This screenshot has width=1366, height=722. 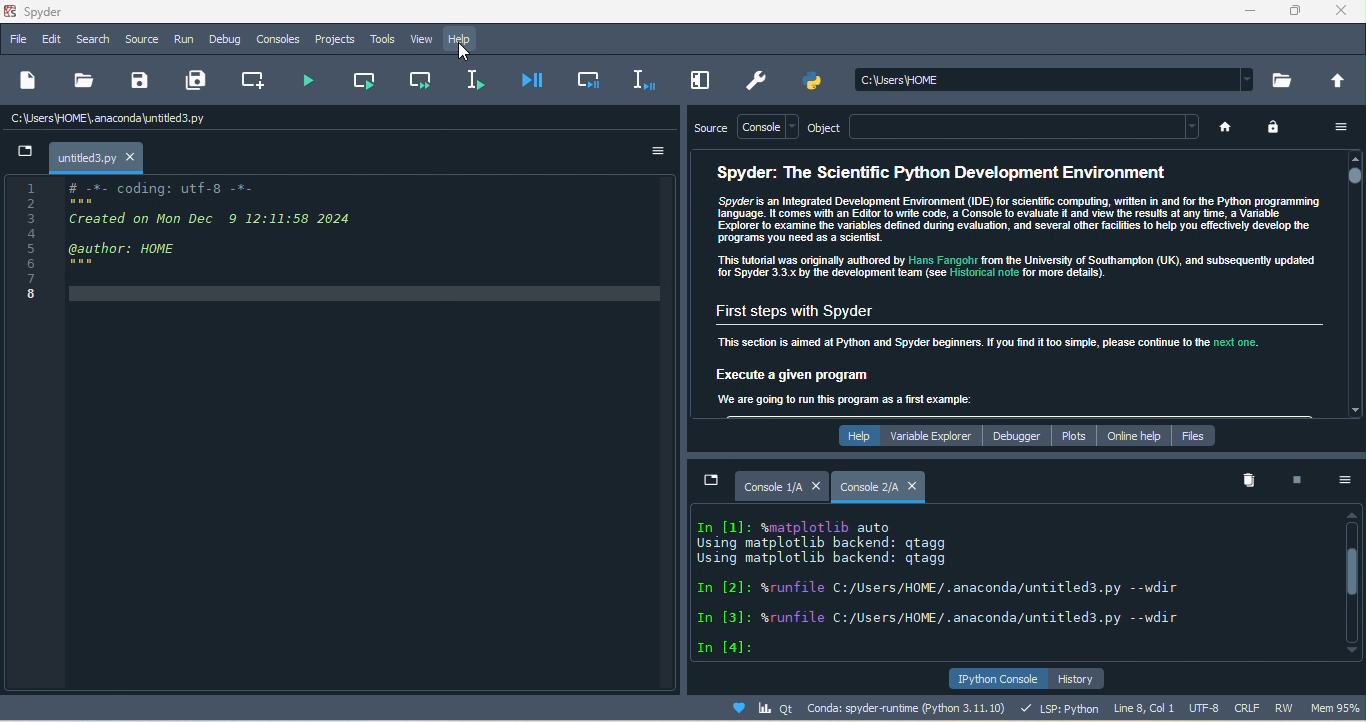 I want to click on run, so click(x=183, y=40).